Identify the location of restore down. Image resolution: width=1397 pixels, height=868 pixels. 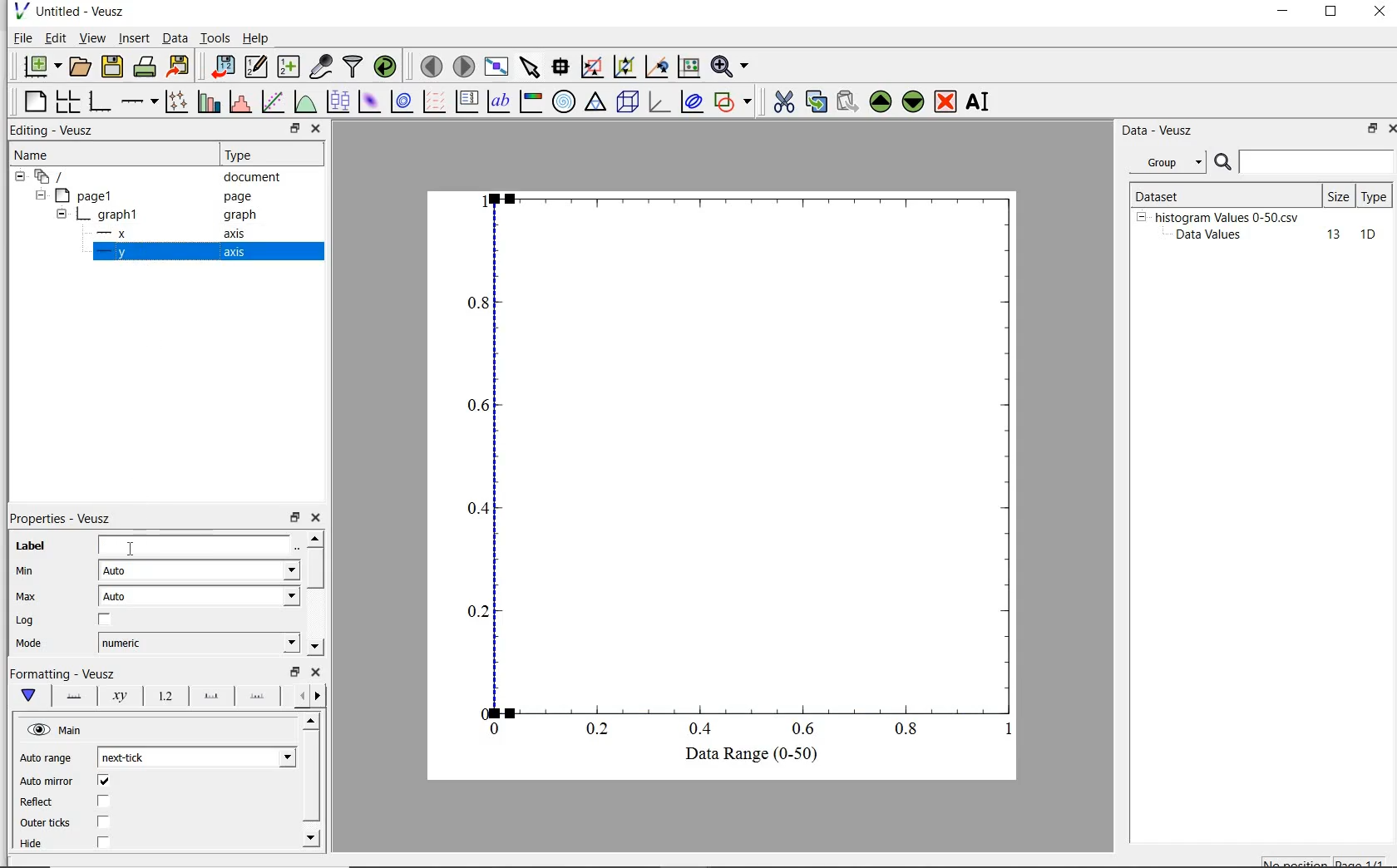
(295, 518).